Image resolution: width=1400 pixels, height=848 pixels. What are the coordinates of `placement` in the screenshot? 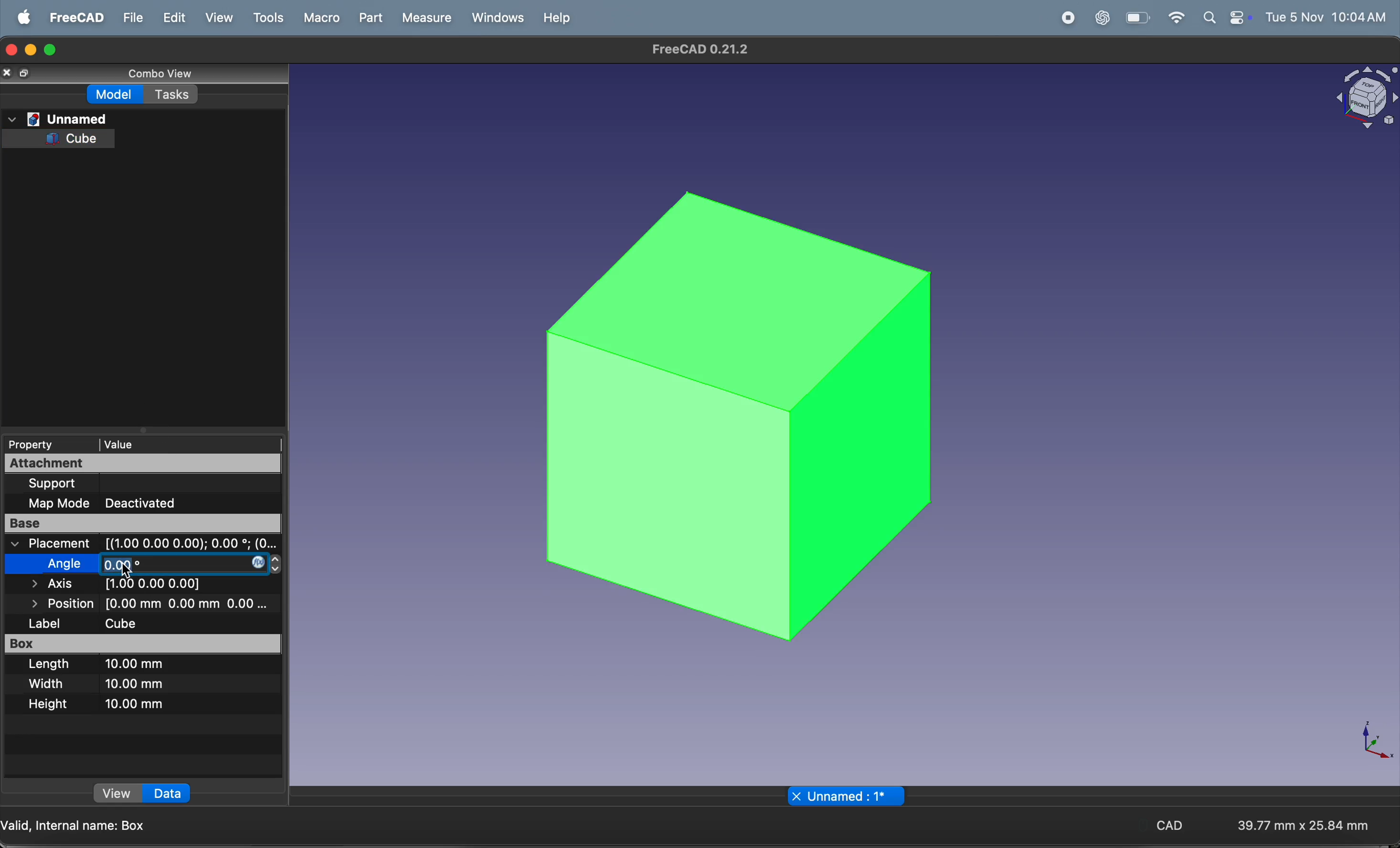 It's located at (50, 545).